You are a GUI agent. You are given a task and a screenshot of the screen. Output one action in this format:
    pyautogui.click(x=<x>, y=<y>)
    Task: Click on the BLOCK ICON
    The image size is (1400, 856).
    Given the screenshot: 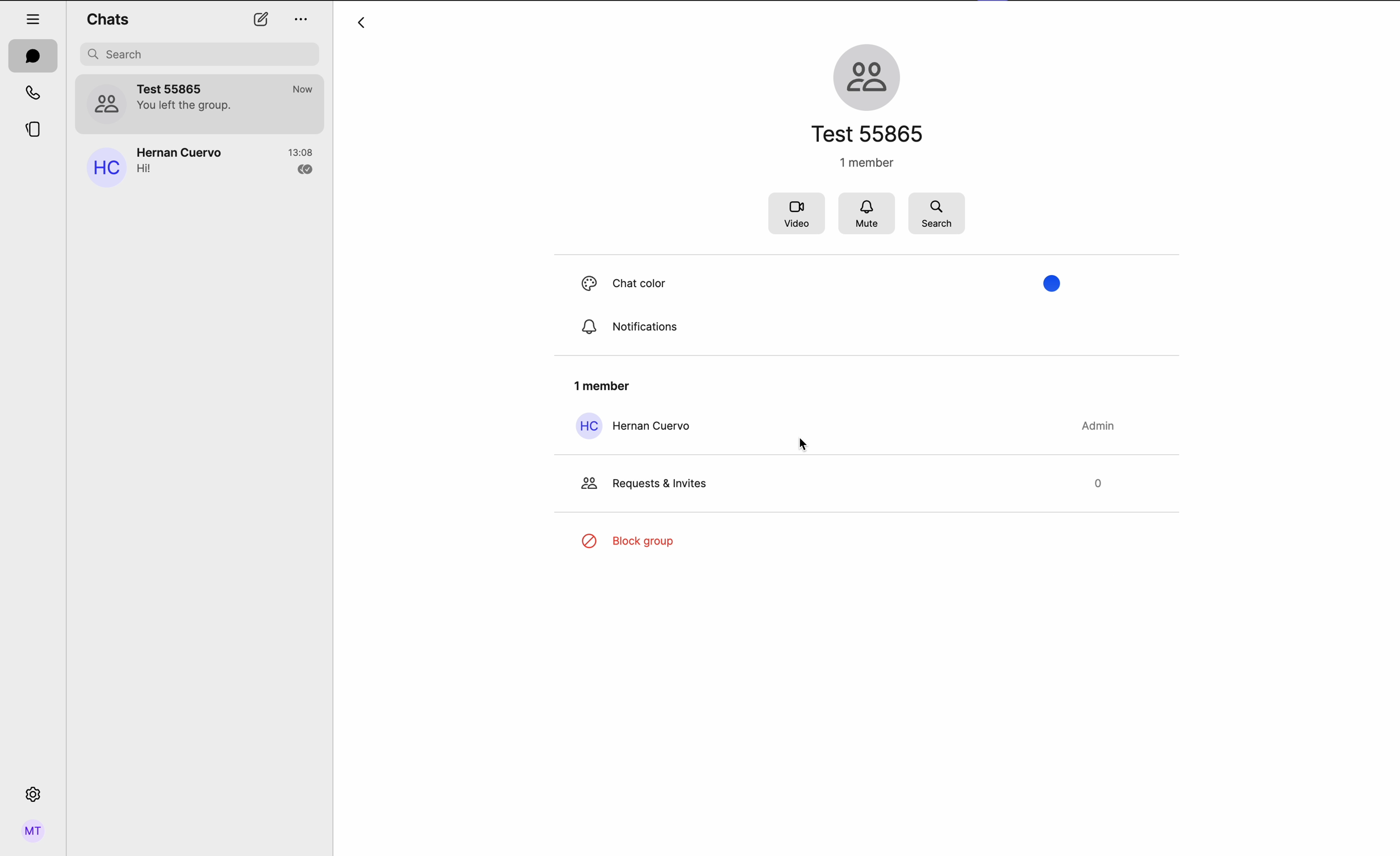 What is the action you would take?
    pyautogui.click(x=593, y=539)
    